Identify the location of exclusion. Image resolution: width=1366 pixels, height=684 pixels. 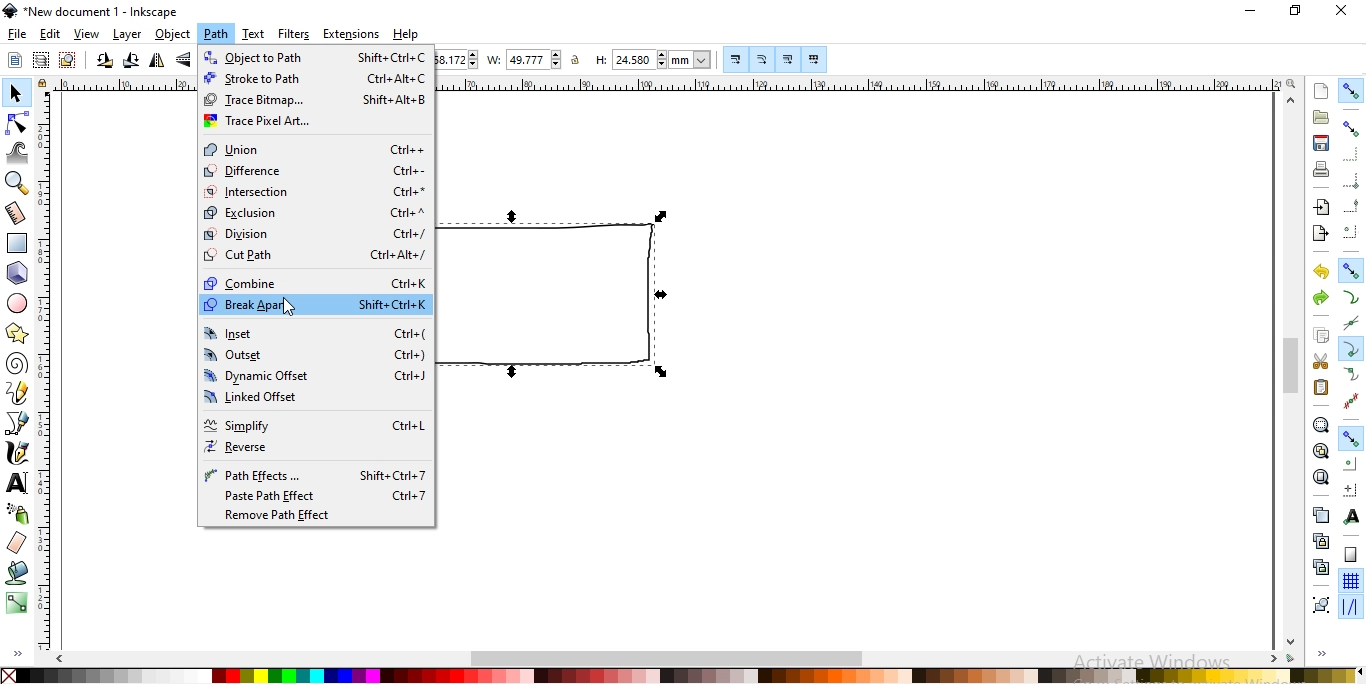
(311, 213).